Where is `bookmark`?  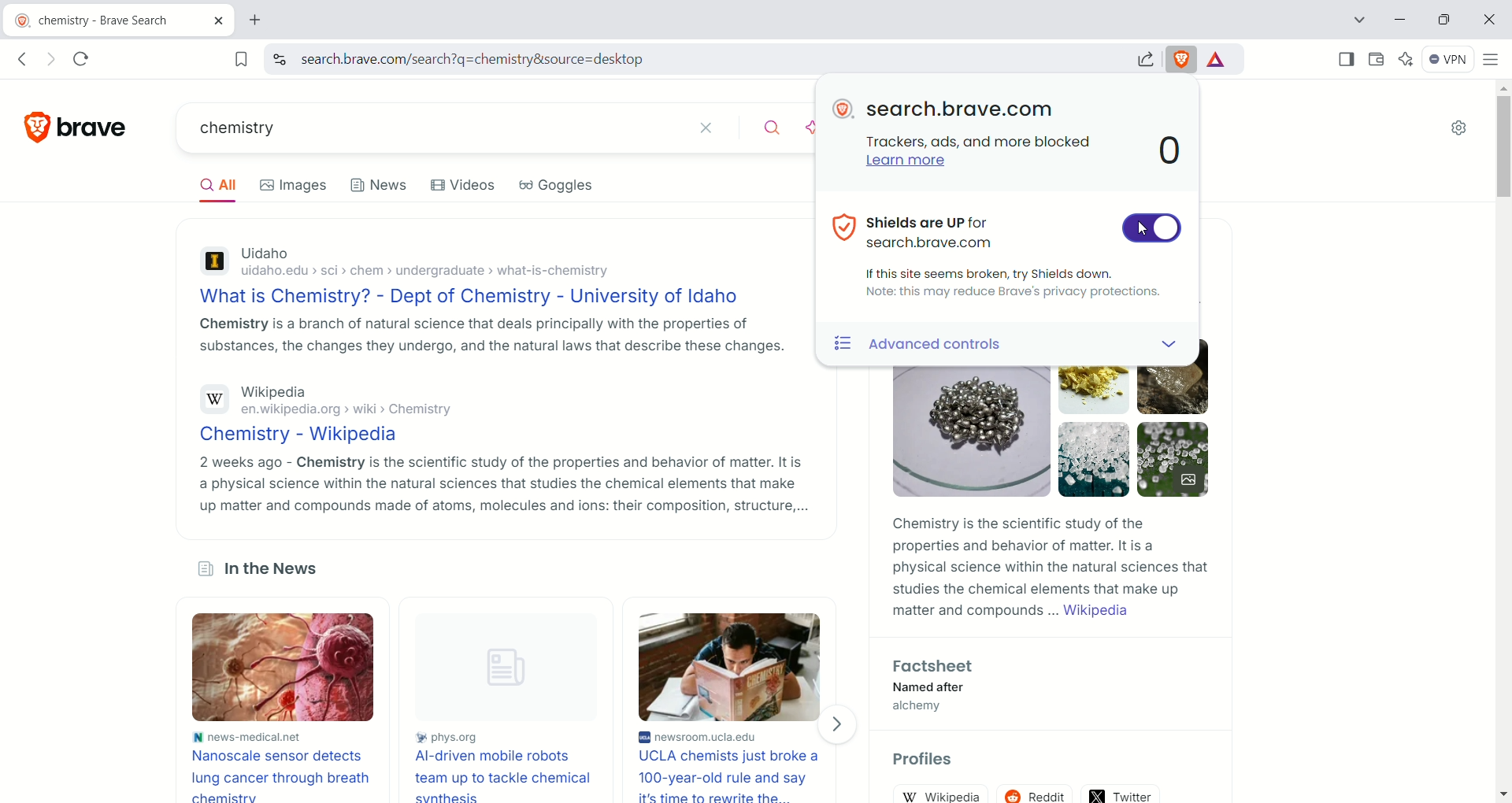 bookmark is located at coordinates (237, 58).